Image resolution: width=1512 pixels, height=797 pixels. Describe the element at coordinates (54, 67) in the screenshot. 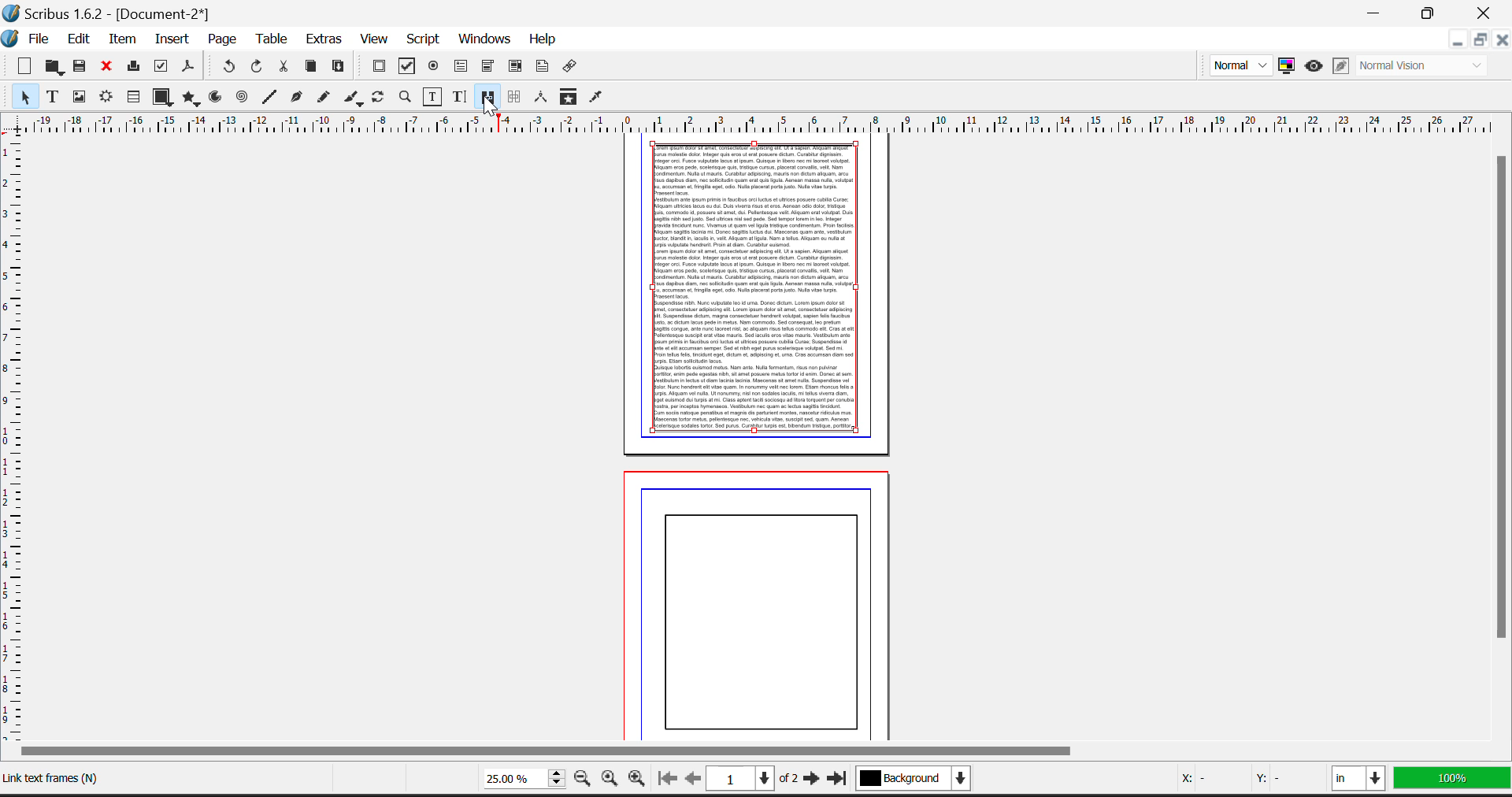

I see `Open` at that location.